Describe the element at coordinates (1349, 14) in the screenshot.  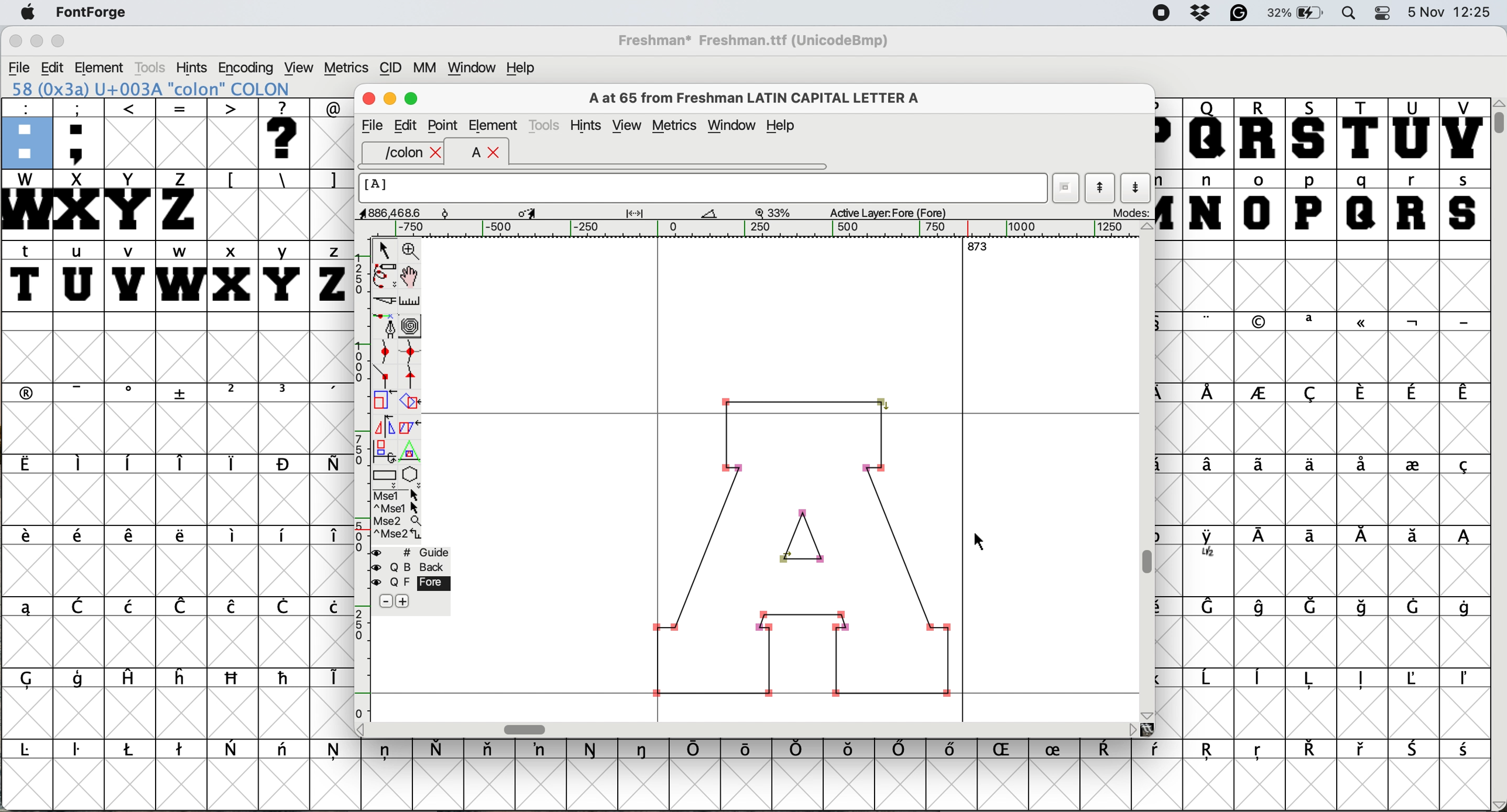
I see `spotlight search` at that location.